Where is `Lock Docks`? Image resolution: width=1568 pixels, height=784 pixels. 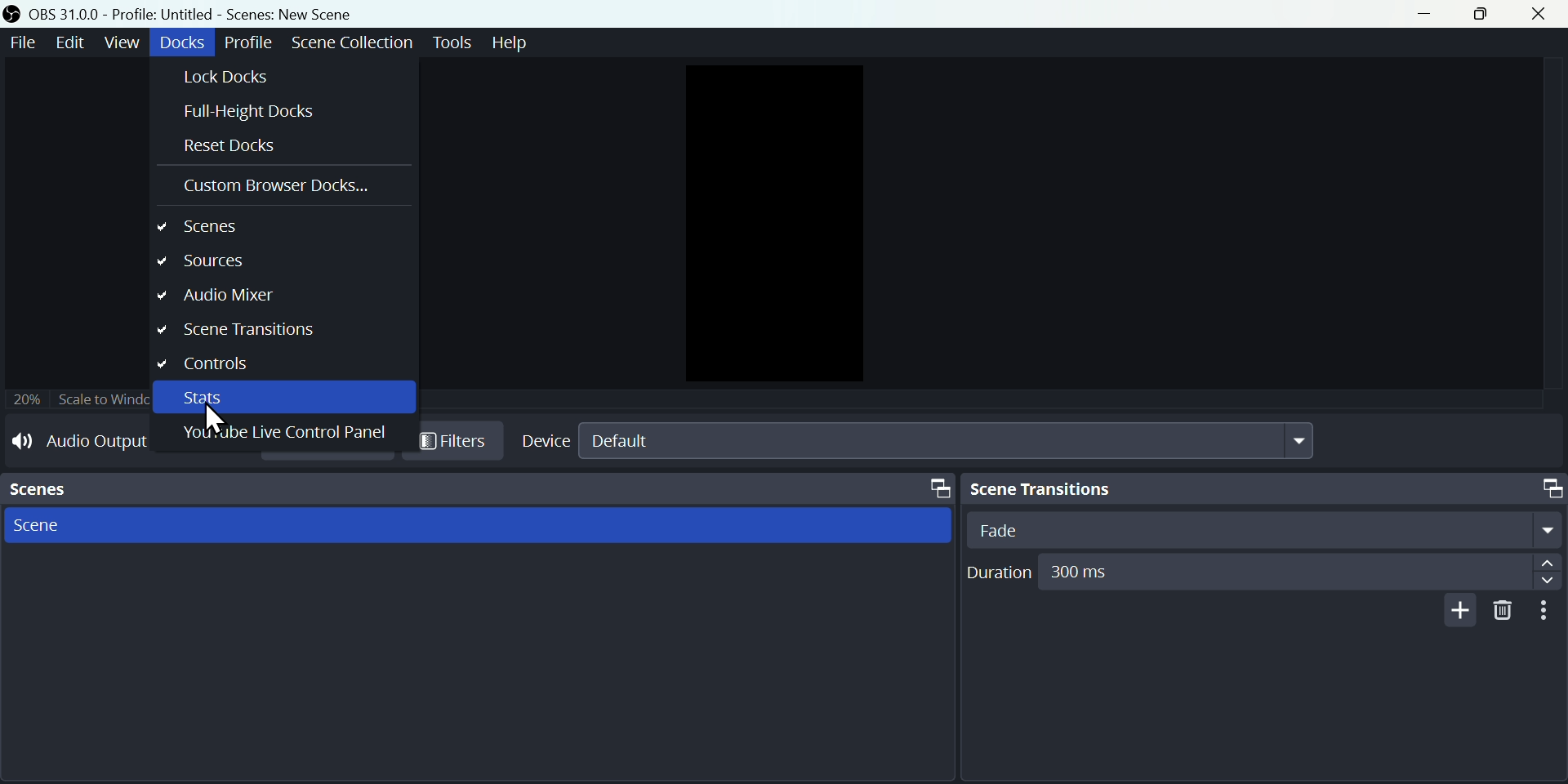 Lock Docks is located at coordinates (227, 78).